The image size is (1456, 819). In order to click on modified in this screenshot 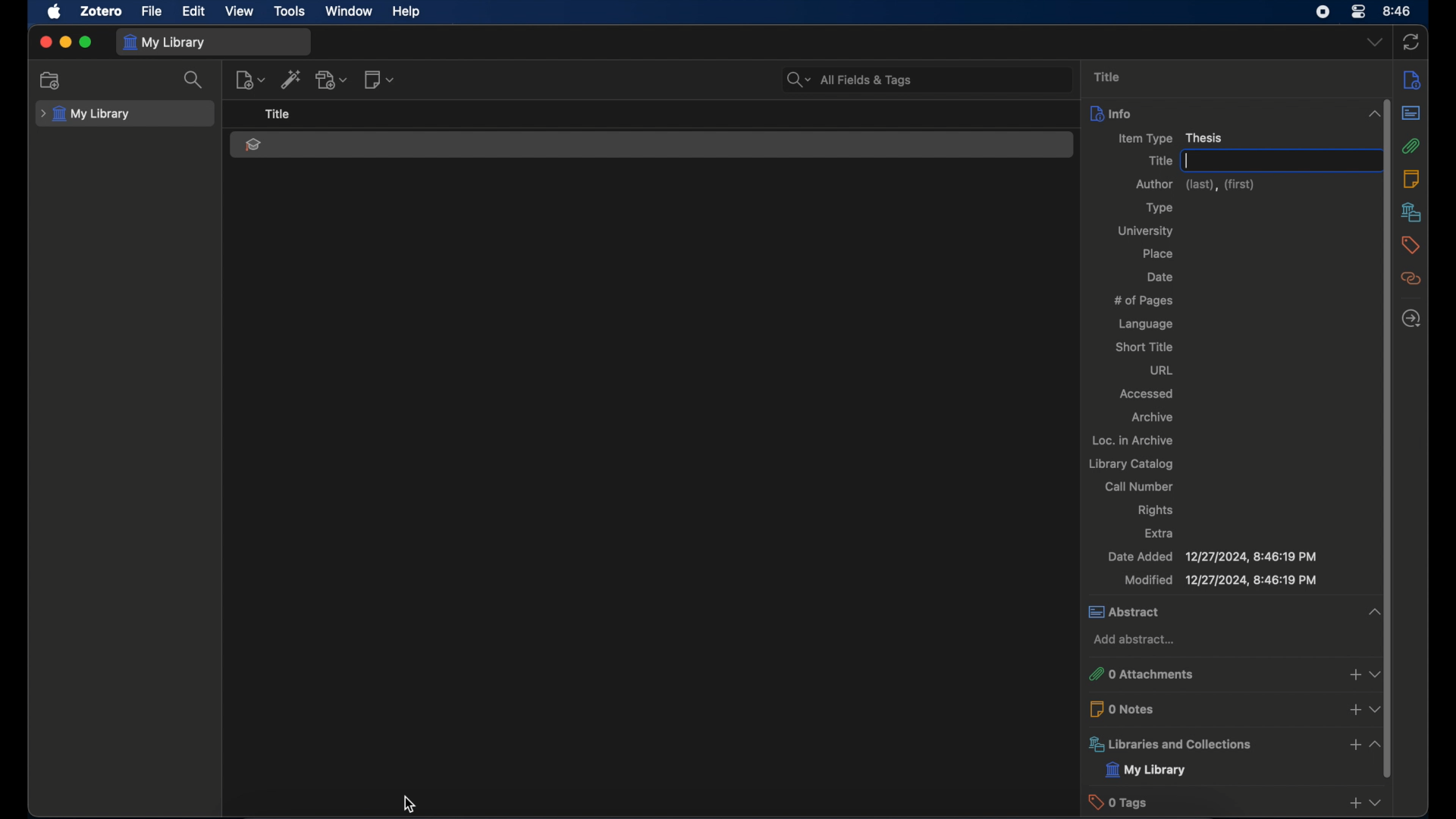, I will do `click(1220, 581)`.